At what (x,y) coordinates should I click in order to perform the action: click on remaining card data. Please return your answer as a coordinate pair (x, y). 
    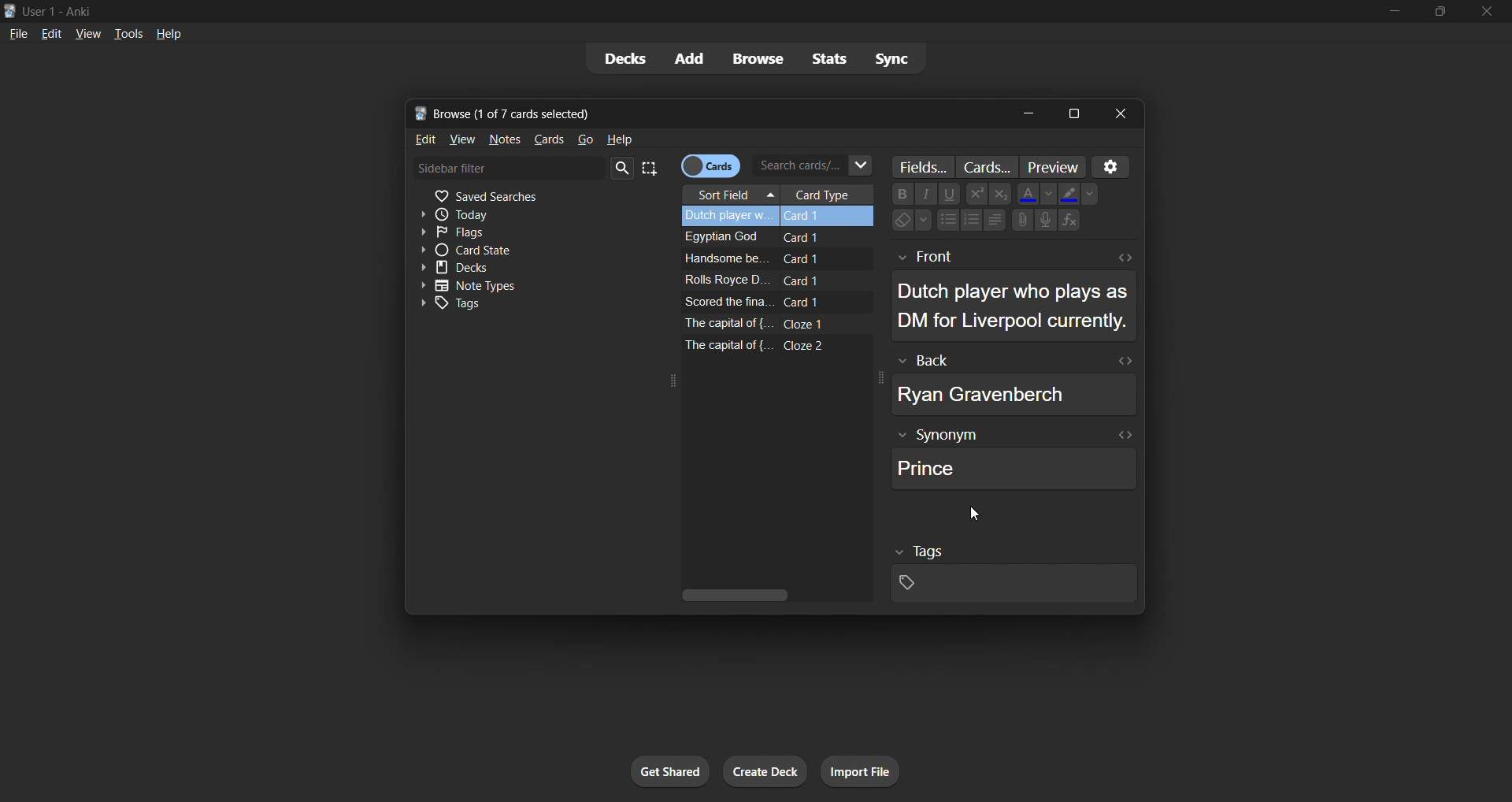
    Looking at the image, I should click on (774, 290).